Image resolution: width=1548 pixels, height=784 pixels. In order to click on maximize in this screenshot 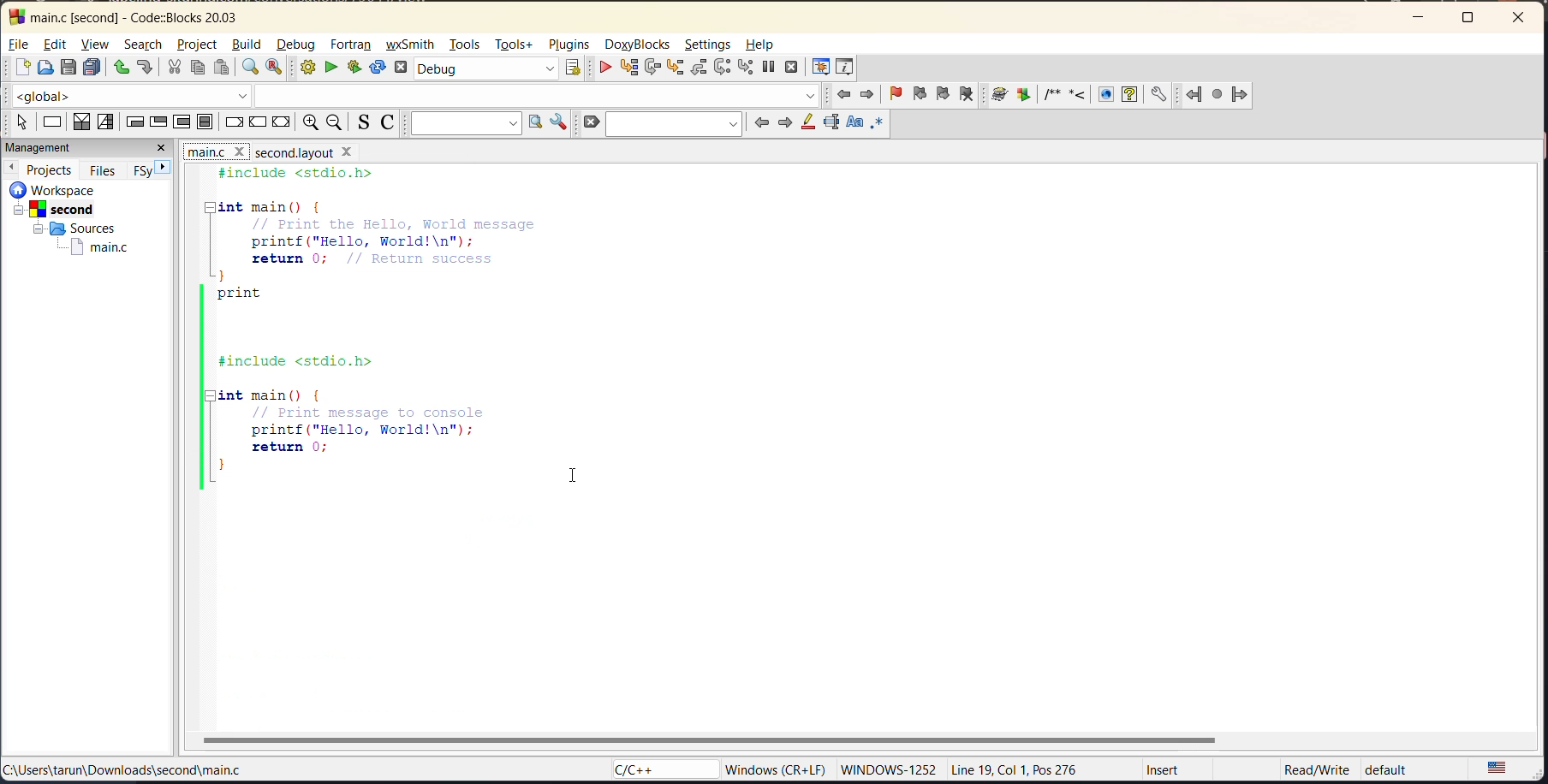, I will do `click(1473, 20)`.